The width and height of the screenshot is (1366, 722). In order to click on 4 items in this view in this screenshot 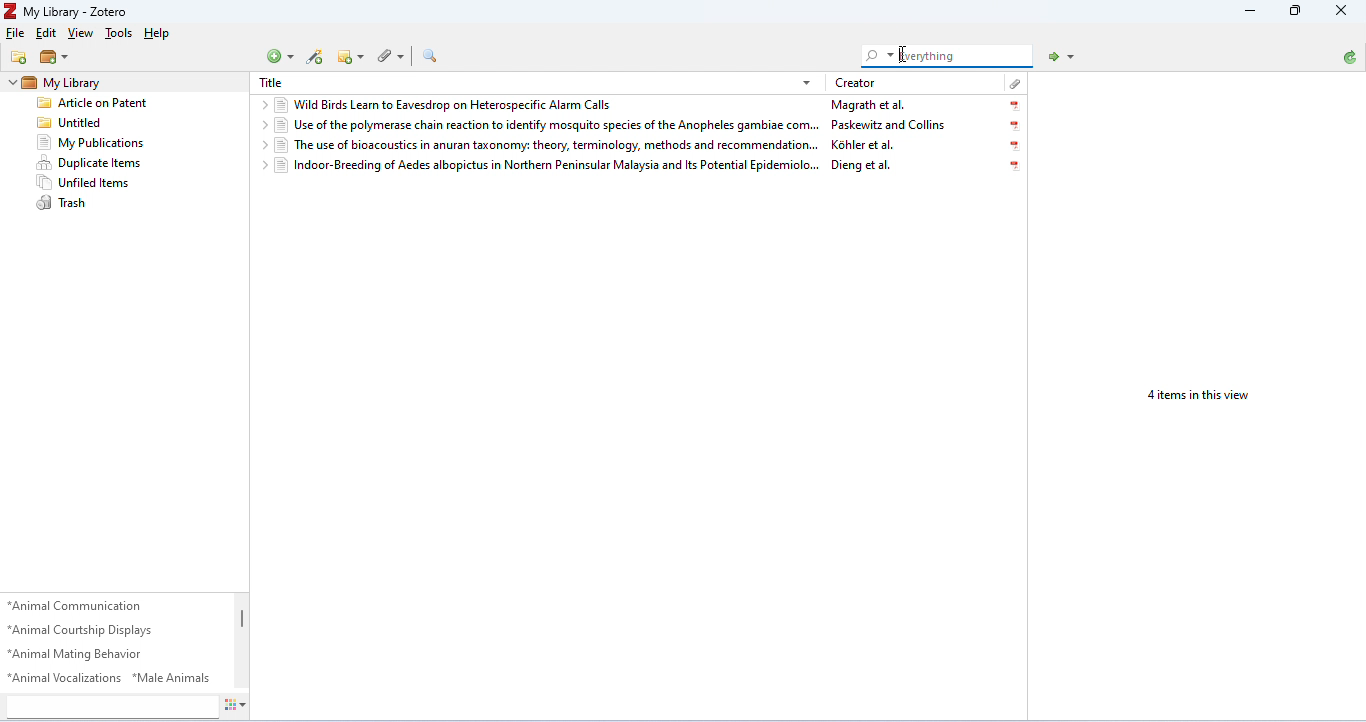, I will do `click(1200, 396)`.